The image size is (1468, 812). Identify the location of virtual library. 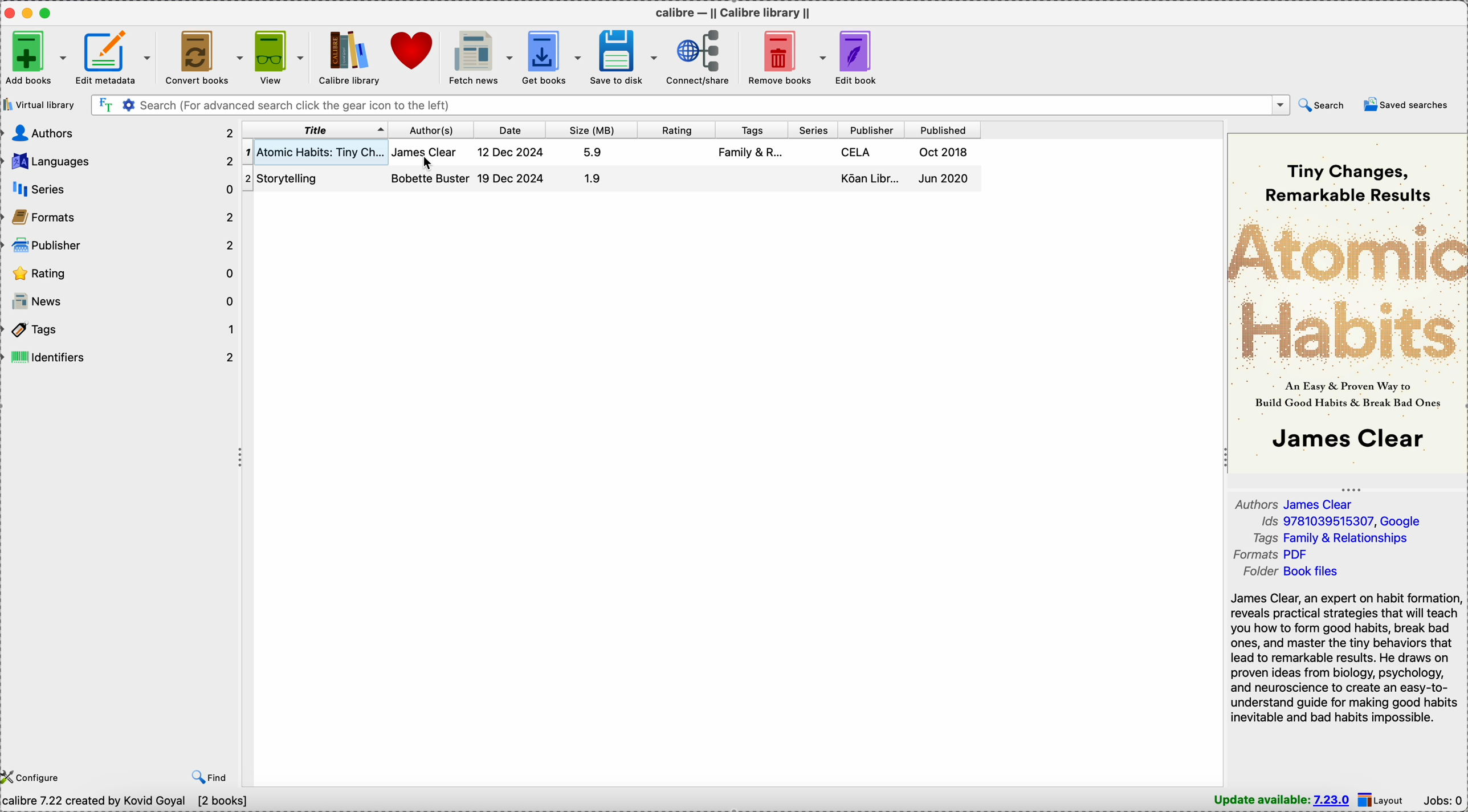
(39, 104).